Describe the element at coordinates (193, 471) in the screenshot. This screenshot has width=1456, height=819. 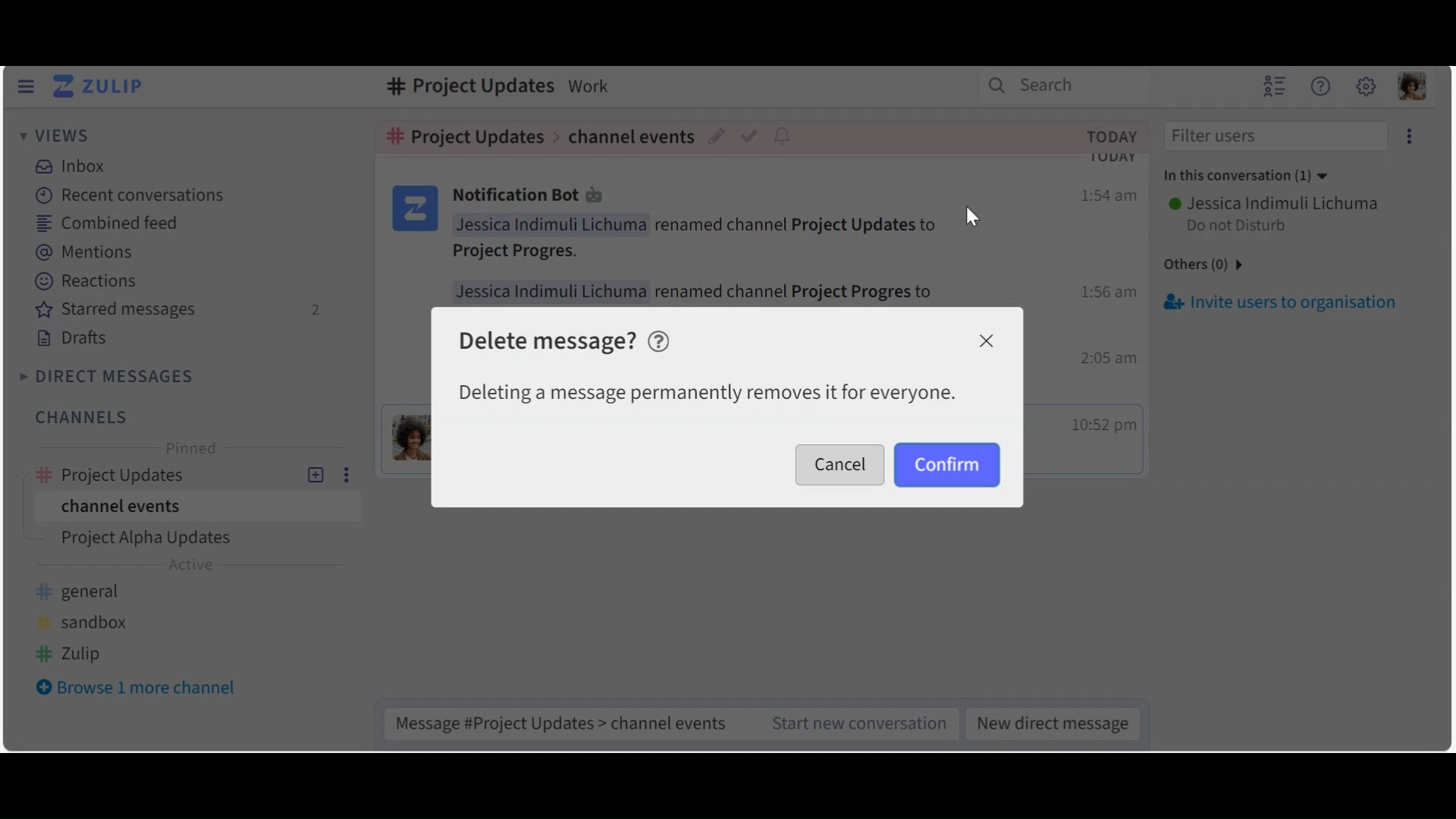
I see `Channel` at that location.